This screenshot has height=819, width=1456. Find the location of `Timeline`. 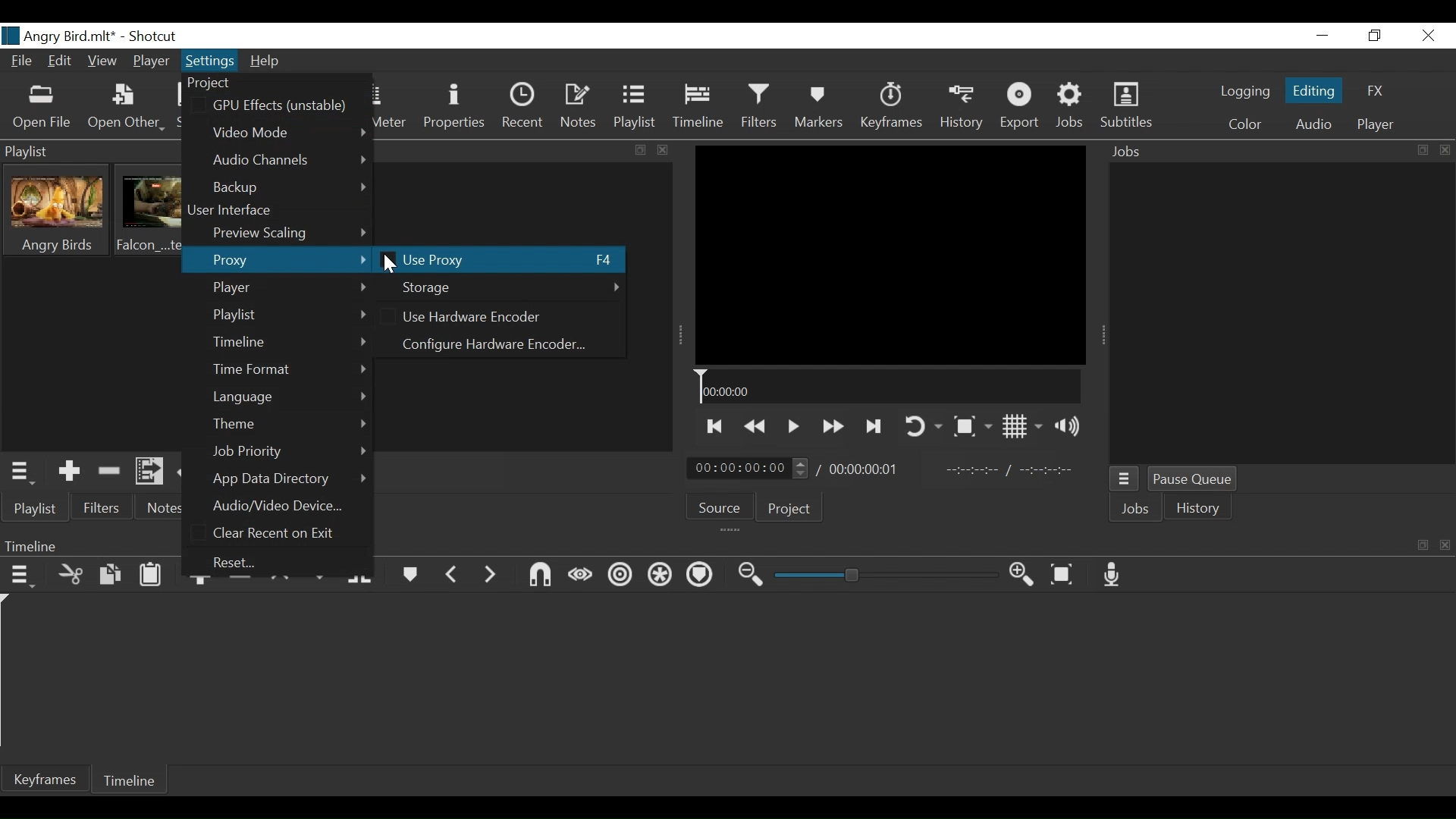

Timeline is located at coordinates (699, 107).